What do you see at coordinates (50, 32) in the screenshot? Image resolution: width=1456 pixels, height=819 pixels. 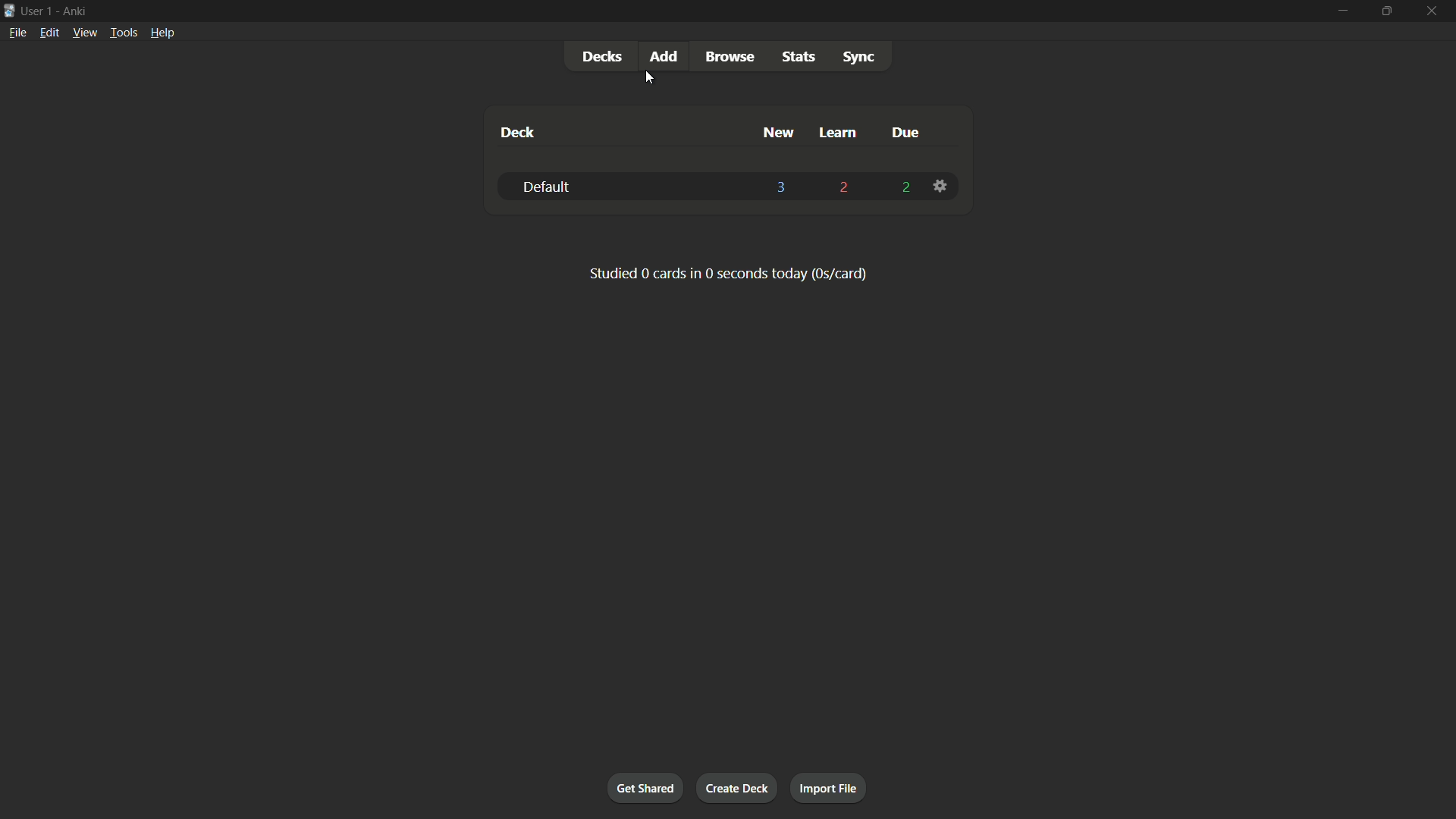 I see `edit menu` at bounding box center [50, 32].